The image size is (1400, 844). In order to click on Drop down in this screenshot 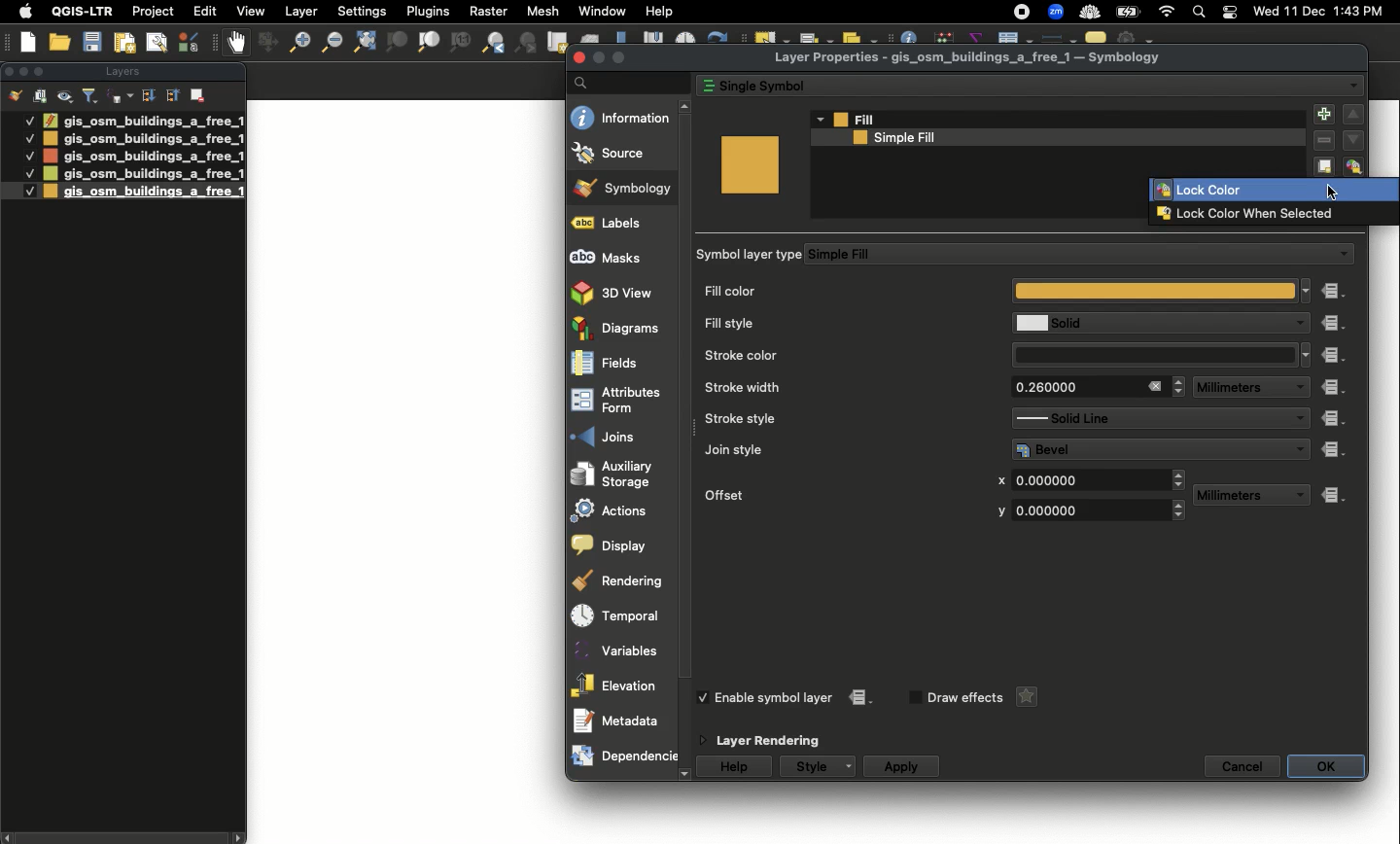, I will do `click(1298, 419)`.